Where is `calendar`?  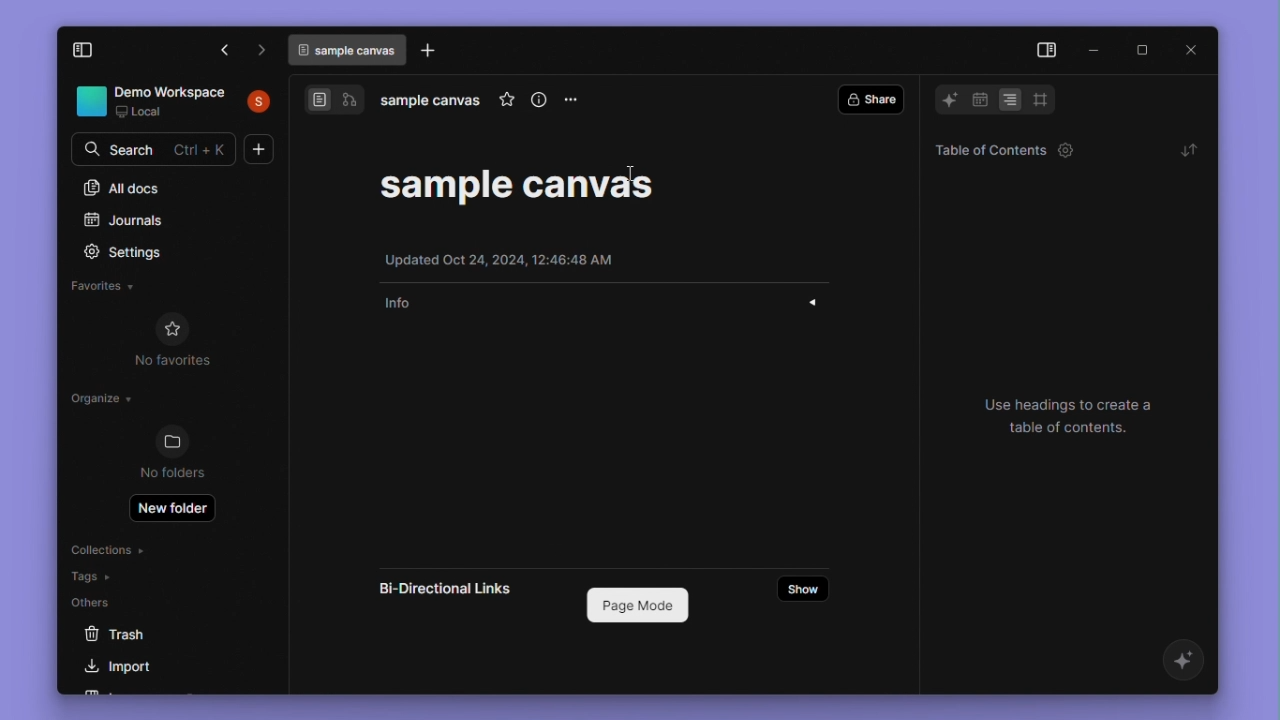 calendar is located at coordinates (979, 102).